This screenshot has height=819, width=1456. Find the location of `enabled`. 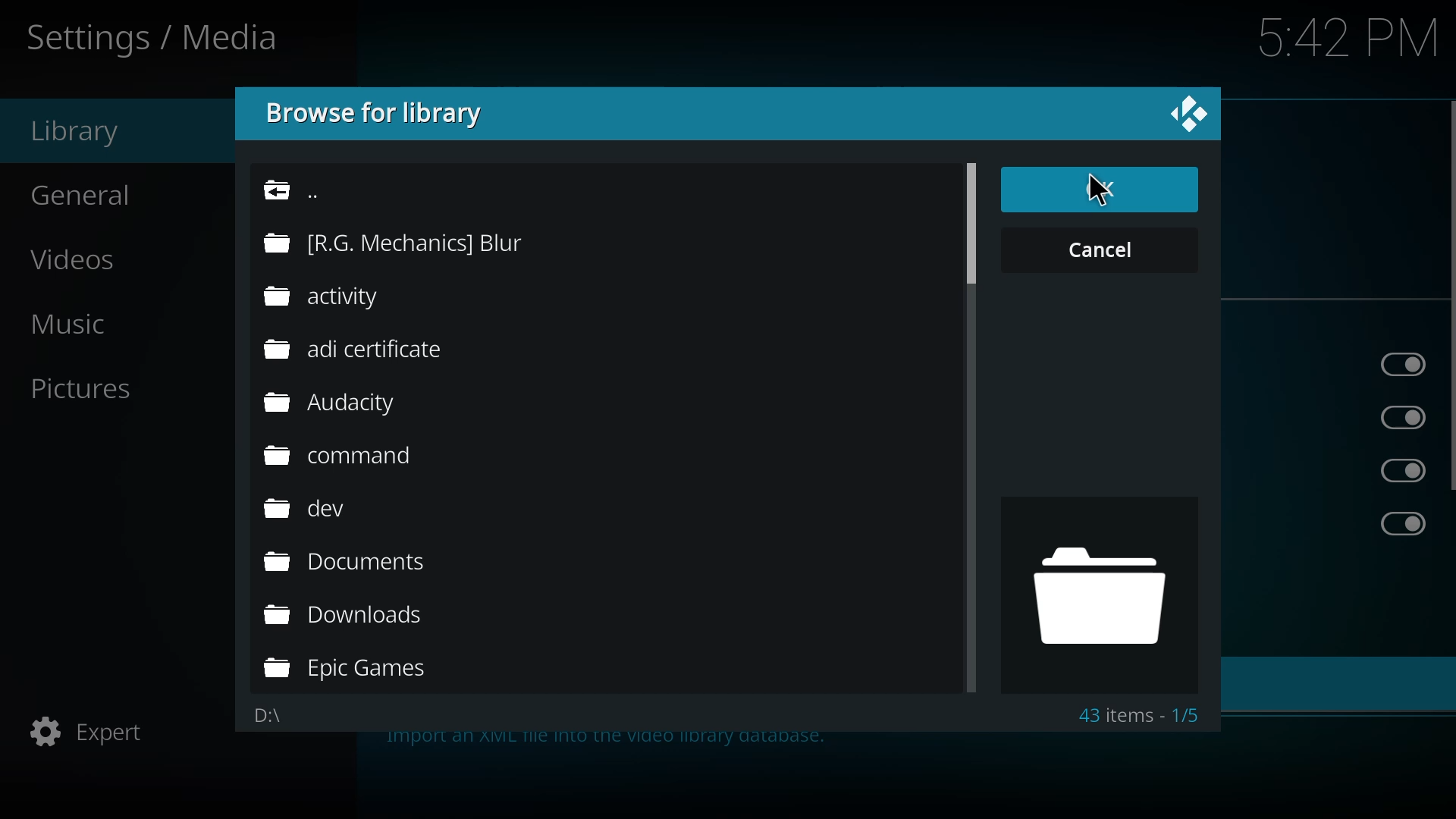

enabled is located at coordinates (1403, 524).